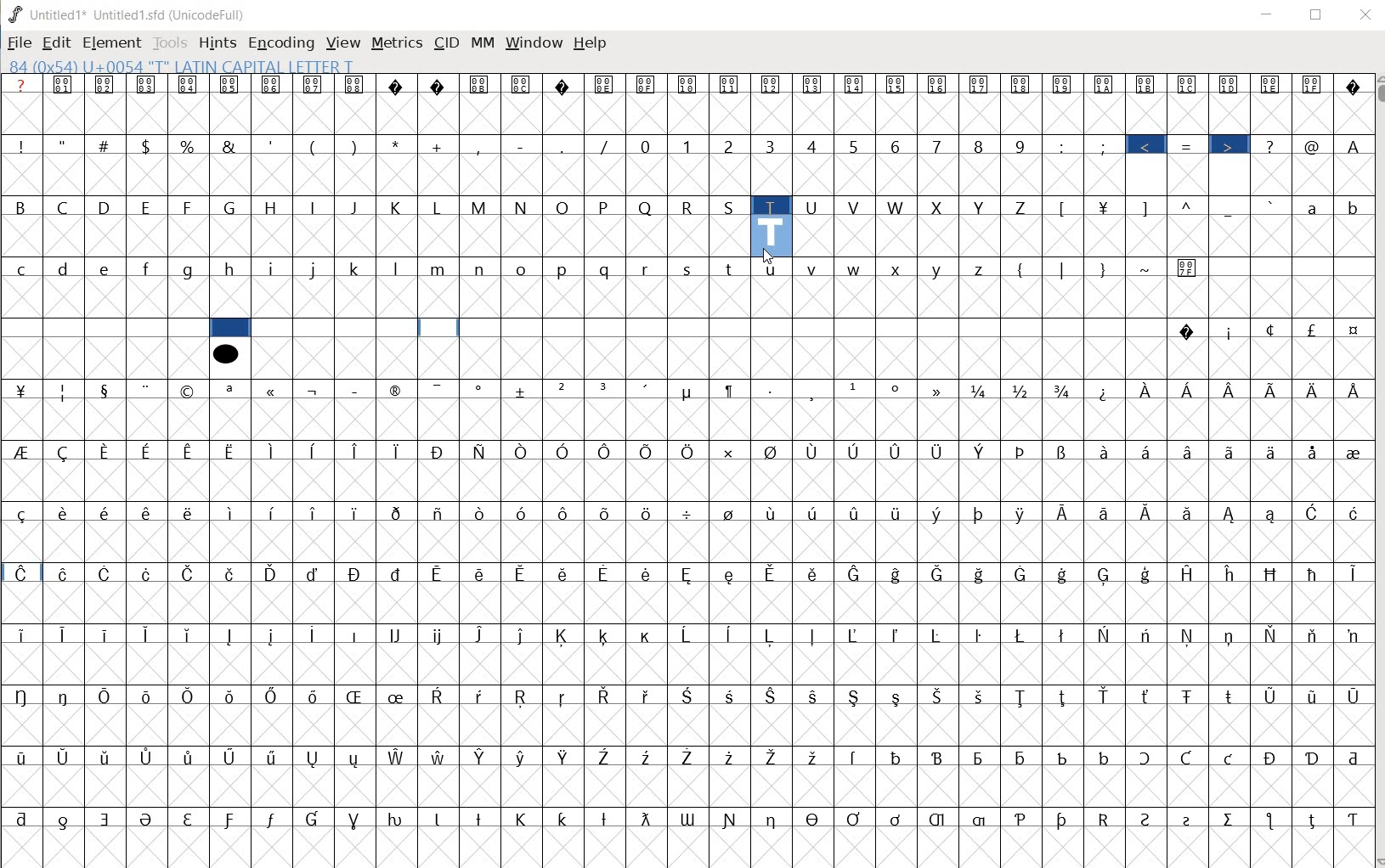 This screenshot has height=868, width=1385. What do you see at coordinates (356, 146) in the screenshot?
I see `)` at bounding box center [356, 146].